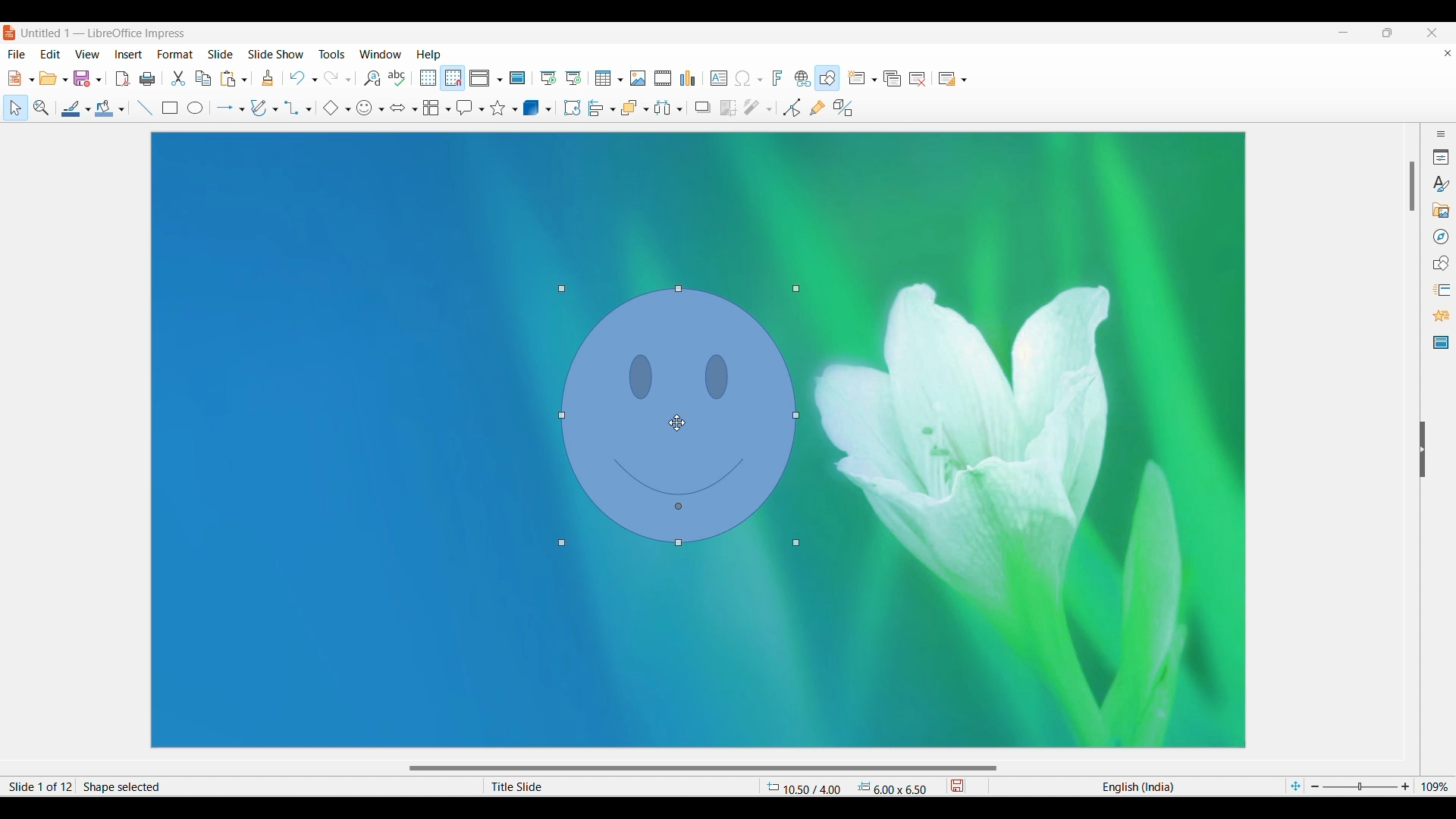 This screenshot has width=1456, height=819. What do you see at coordinates (147, 79) in the screenshot?
I see `Print` at bounding box center [147, 79].